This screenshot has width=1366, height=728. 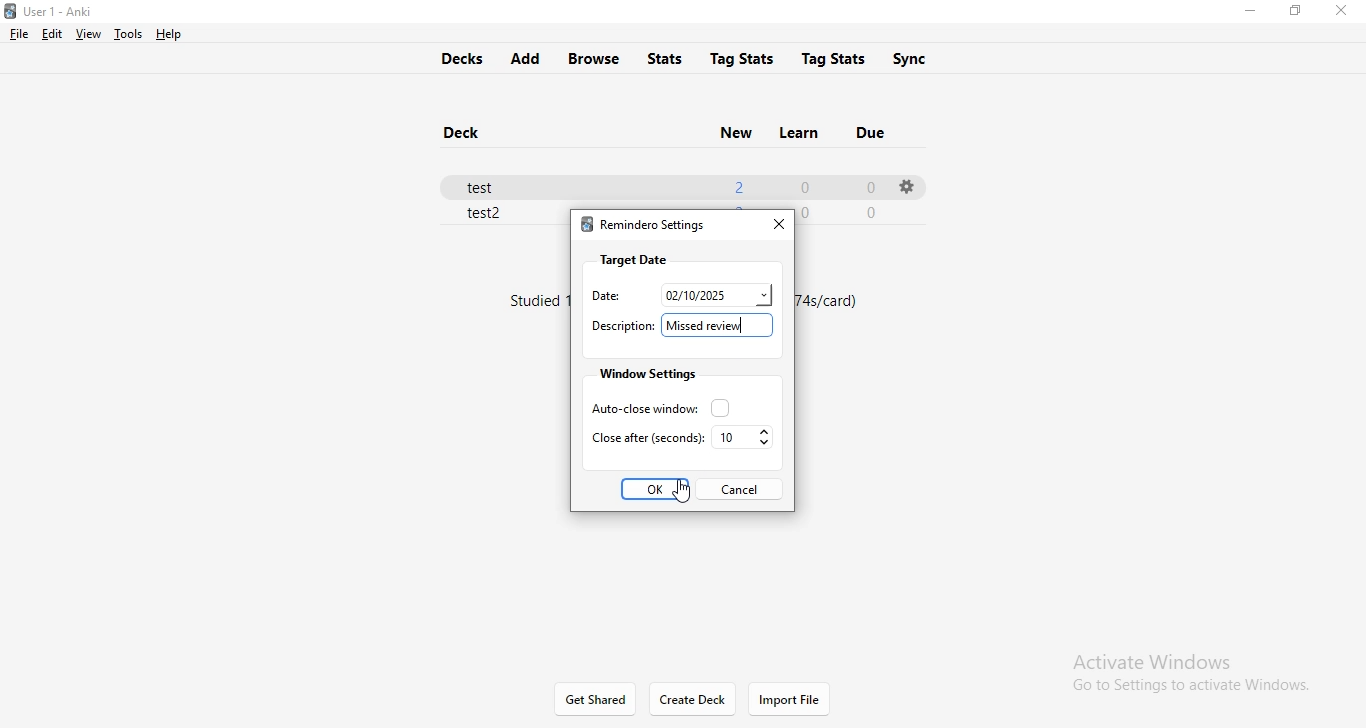 What do you see at coordinates (645, 437) in the screenshot?
I see `close after seconds` at bounding box center [645, 437].